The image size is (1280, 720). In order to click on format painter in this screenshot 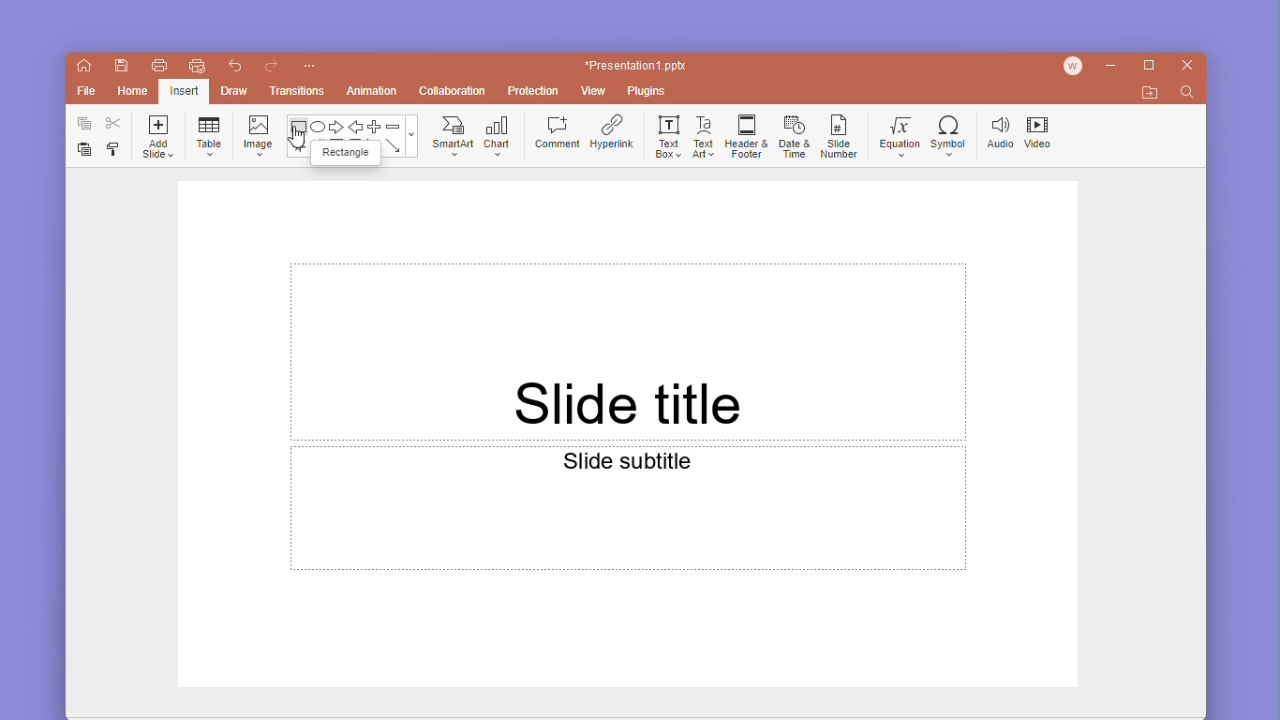, I will do `click(113, 150)`.